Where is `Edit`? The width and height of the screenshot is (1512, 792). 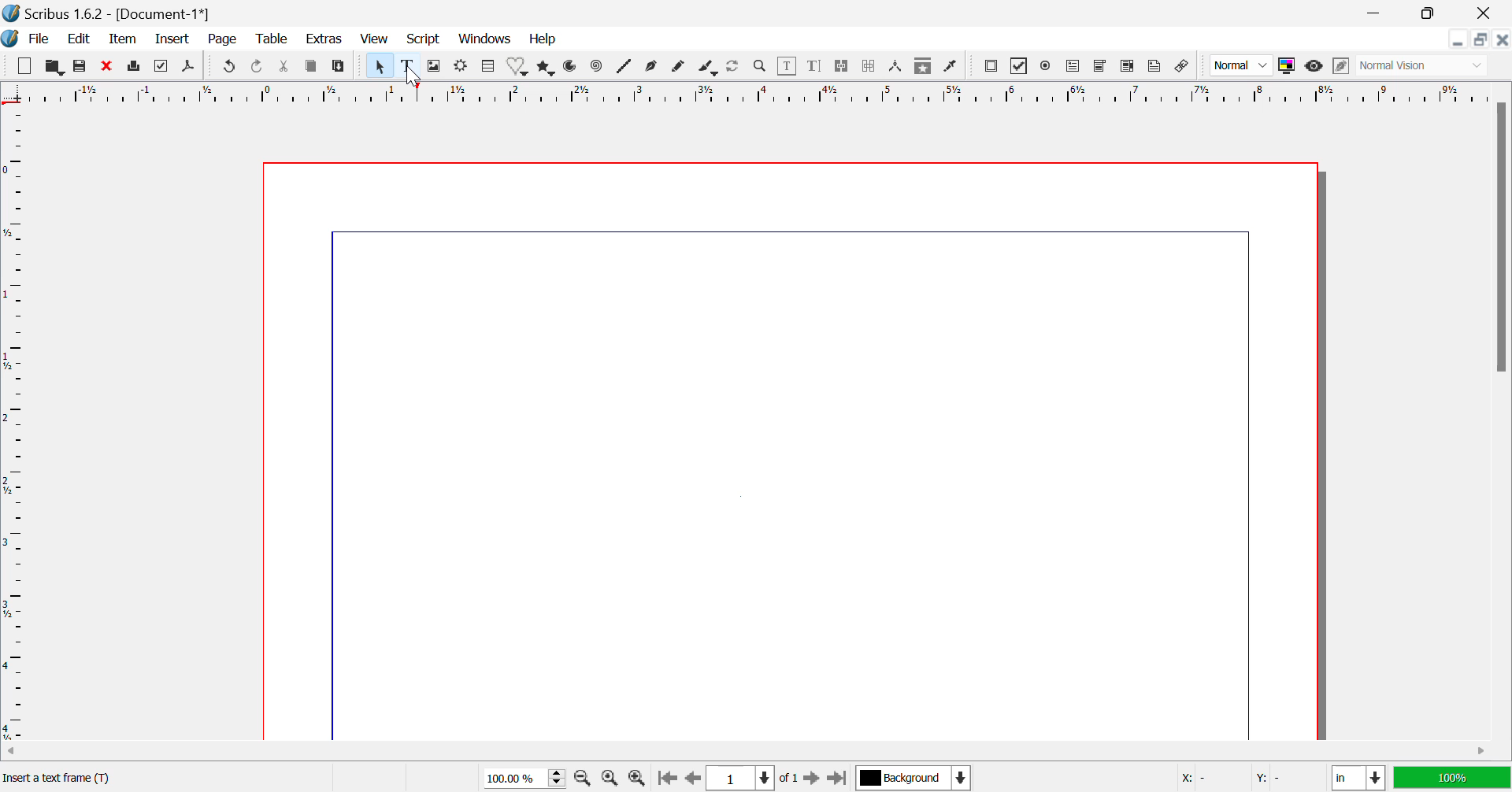
Edit is located at coordinates (81, 41).